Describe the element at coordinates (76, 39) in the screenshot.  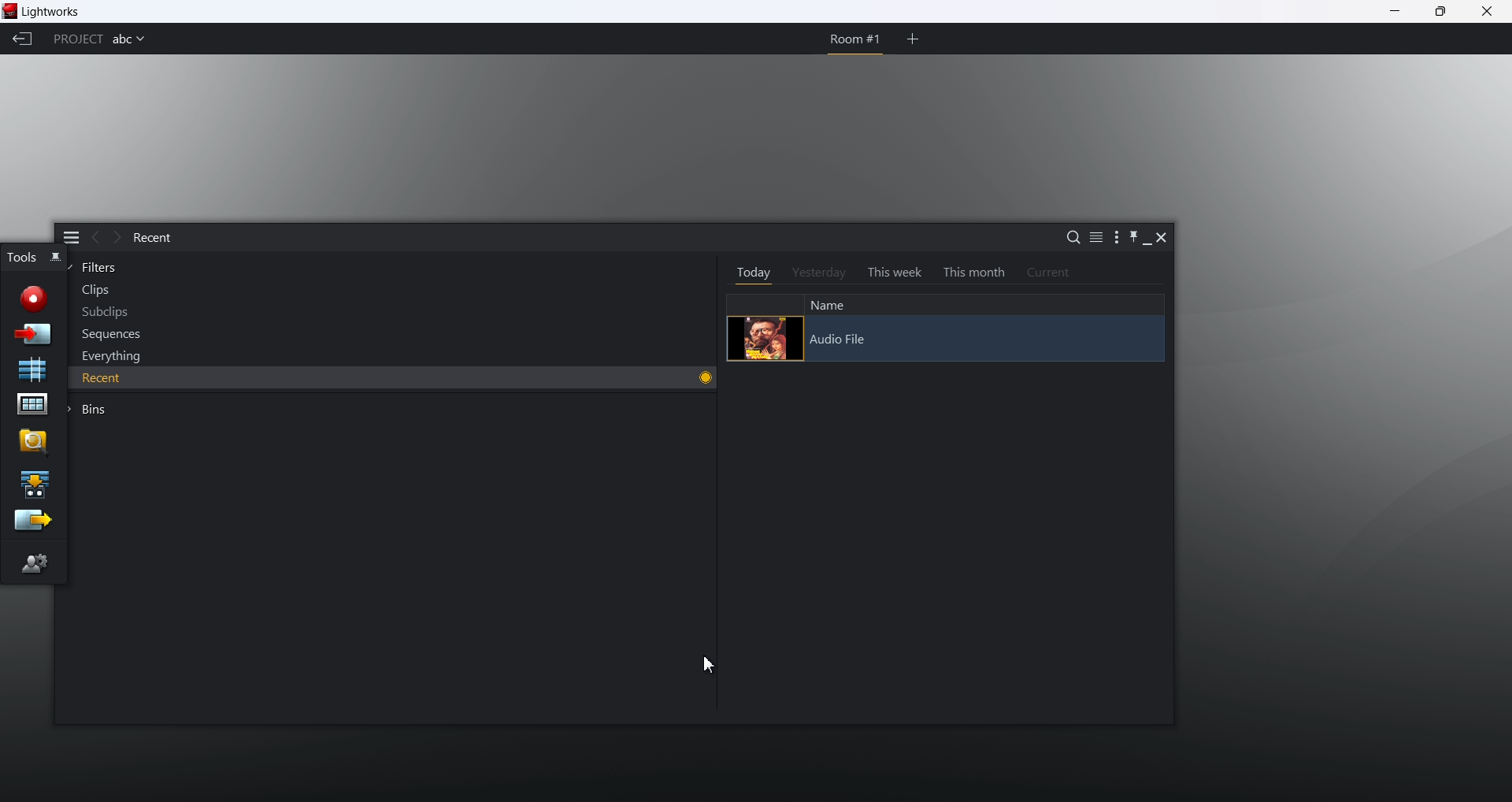
I see `project` at that location.